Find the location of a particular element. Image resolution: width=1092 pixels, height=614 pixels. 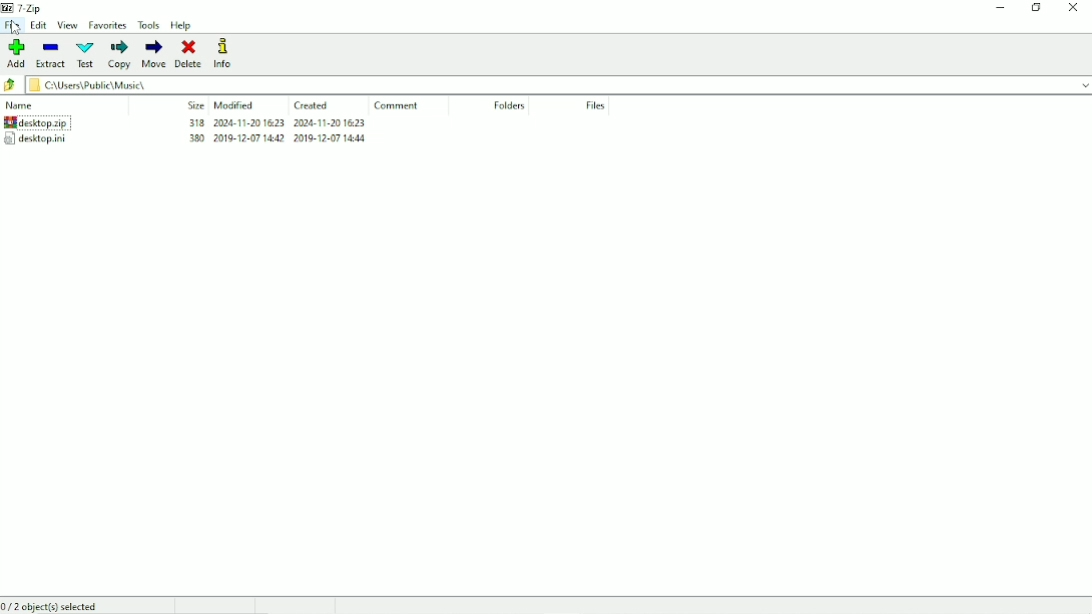

Copy is located at coordinates (118, 56).